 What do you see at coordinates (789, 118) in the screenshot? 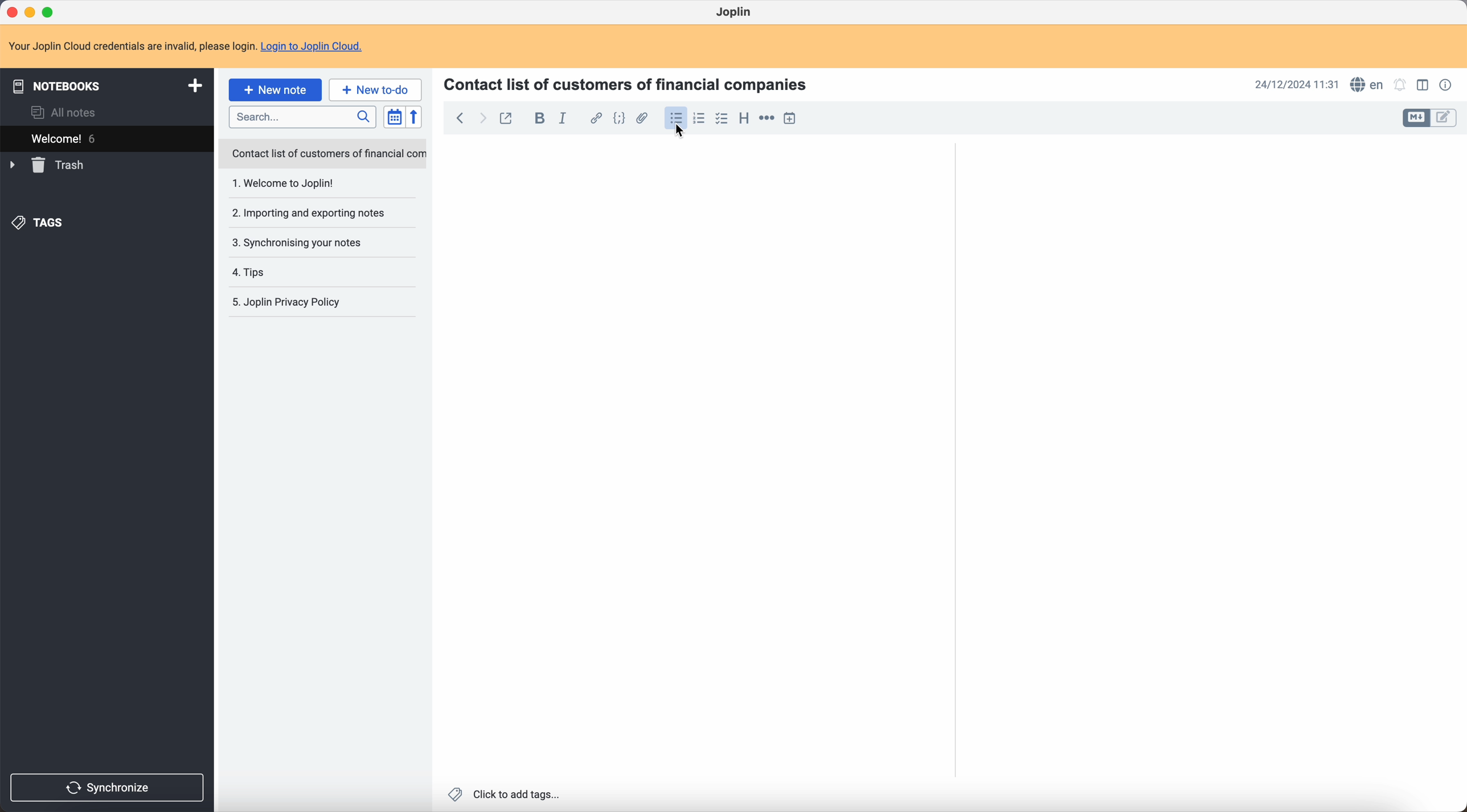
I see `insert time` at bounding box center [789, 118].